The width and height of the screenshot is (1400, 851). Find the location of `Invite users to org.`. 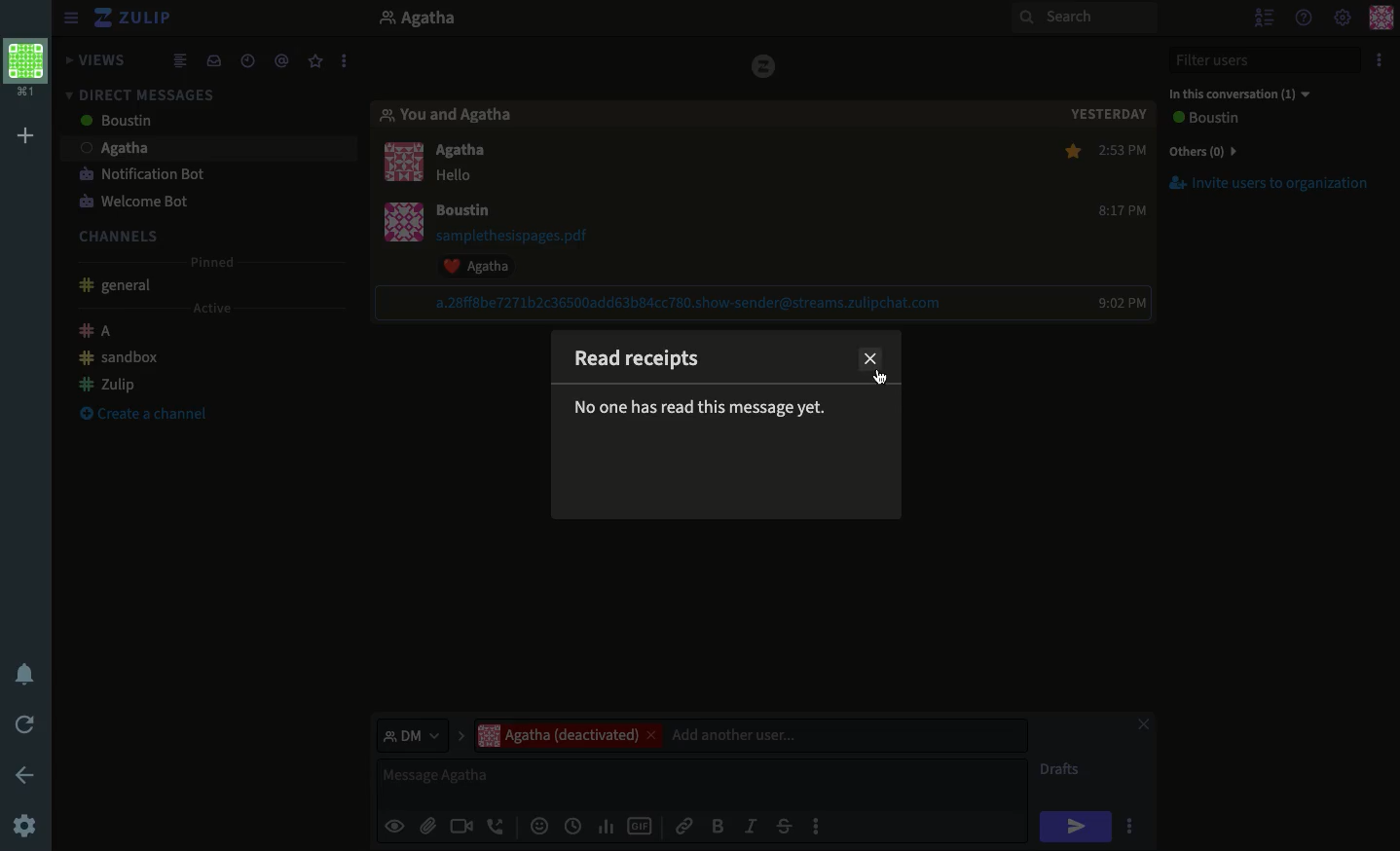

Invite users to org. is located at coordinates (1272, 148).